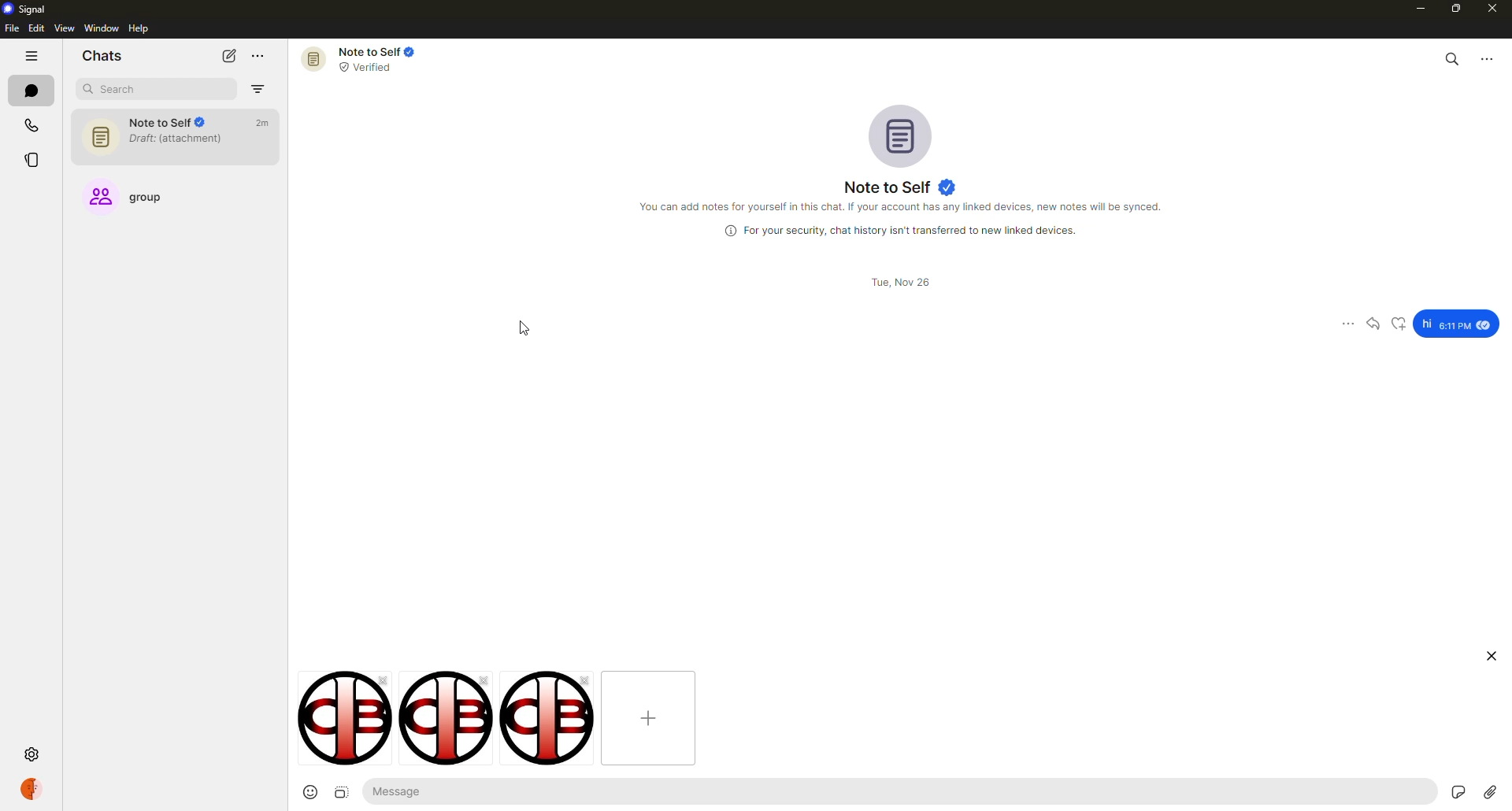 The width and height of the screenshot is (1512, 811). I want to click on stickers, so click(1455, 787).